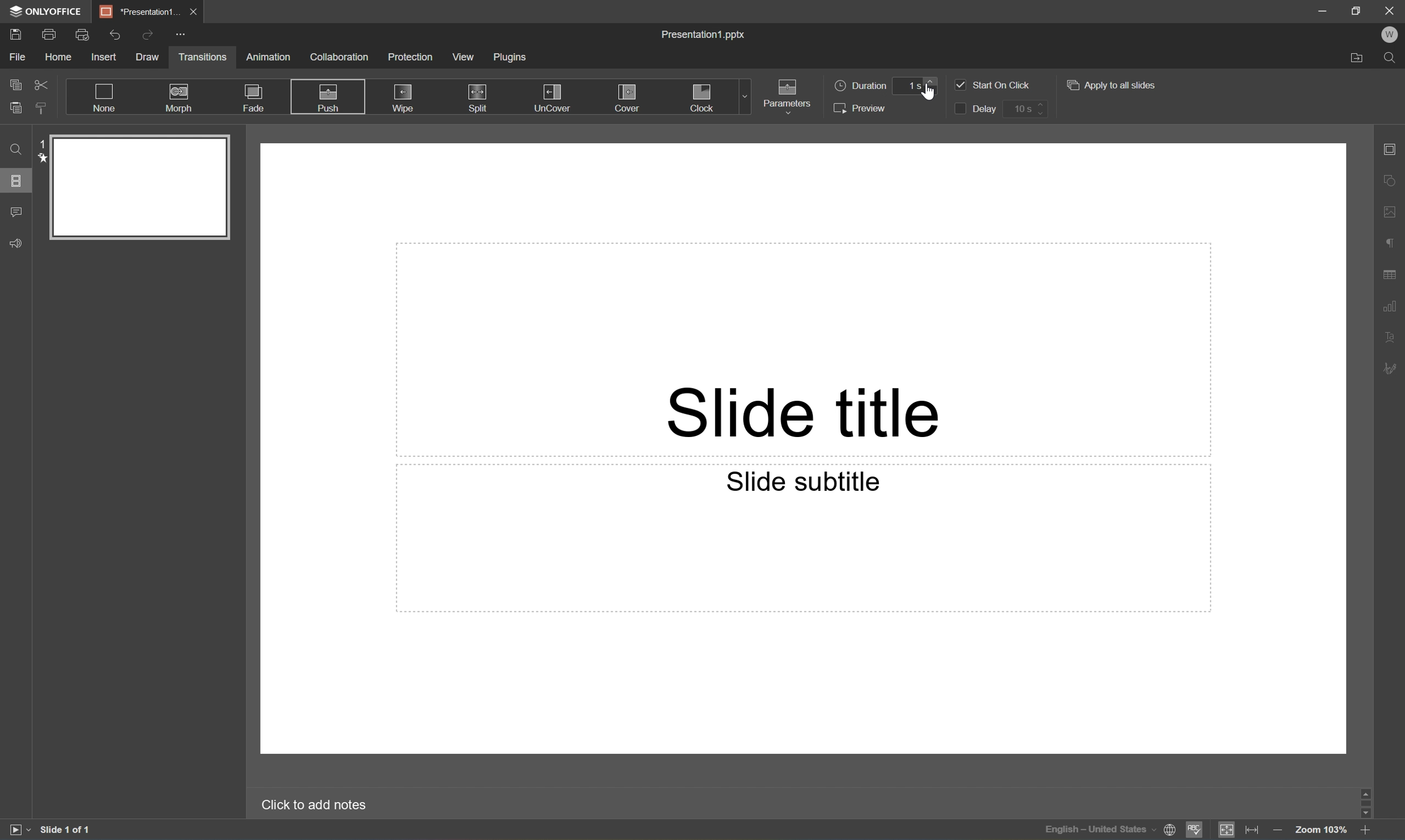 Image resolution: width=1405 pixels, height=840 pixels. Describe the element at coordinates (84, 33) in the screenshot. I see `Quick Print` at that location.